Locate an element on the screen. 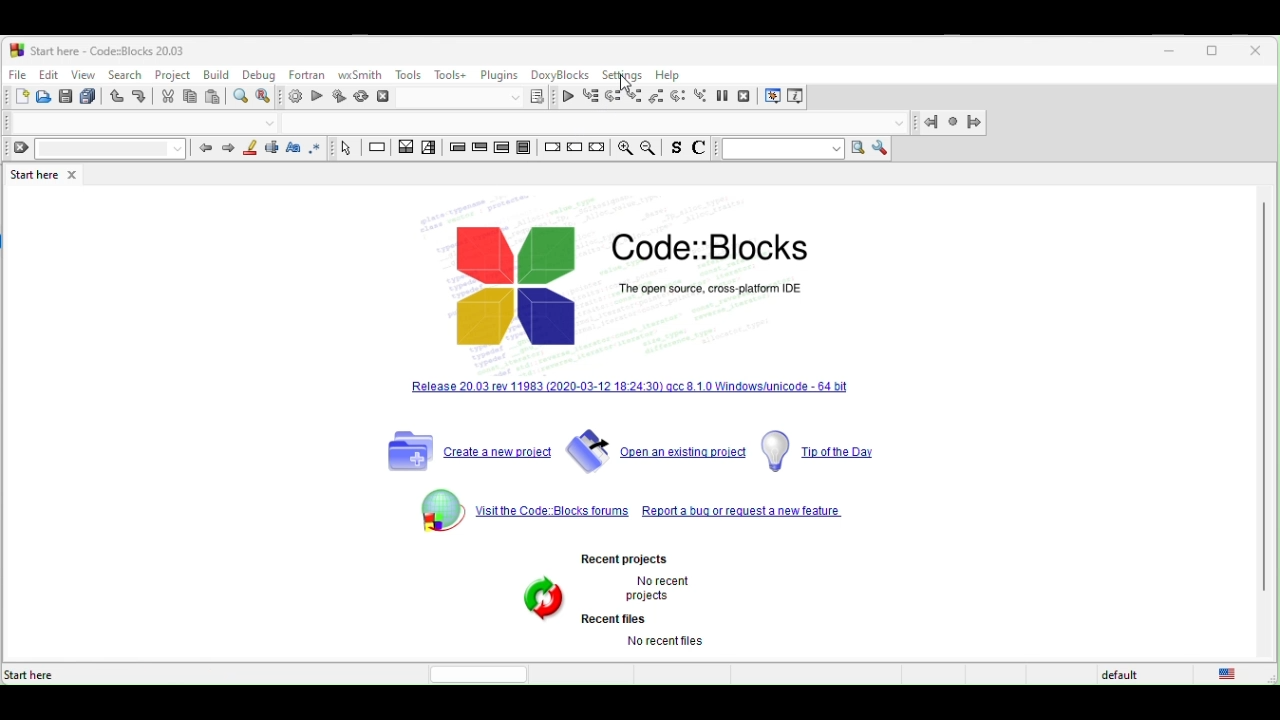 This screenshot has width=1280, height=720. select is located at coordinates (348, 148).